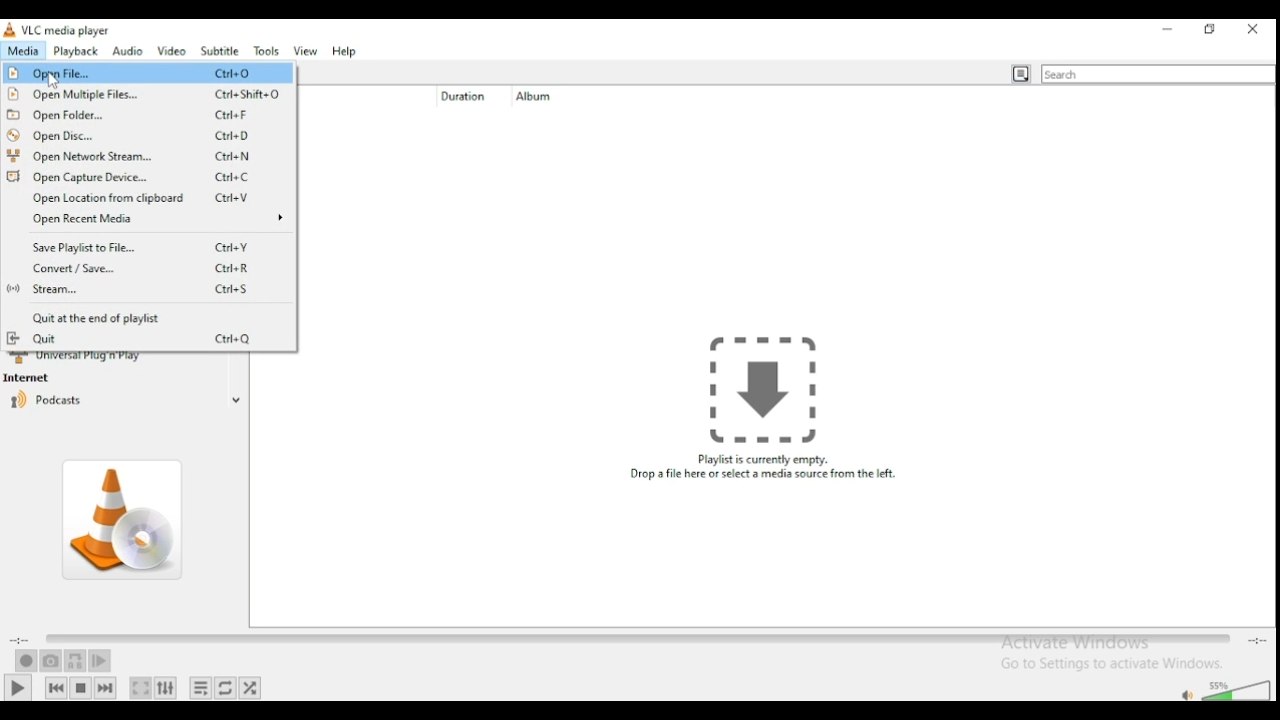 The width and height of the screenshot is (1280, 720). What do you see at coordinates (46, 402) in the screenshot?
I see `podcasts` at bounding box center [46, 402].